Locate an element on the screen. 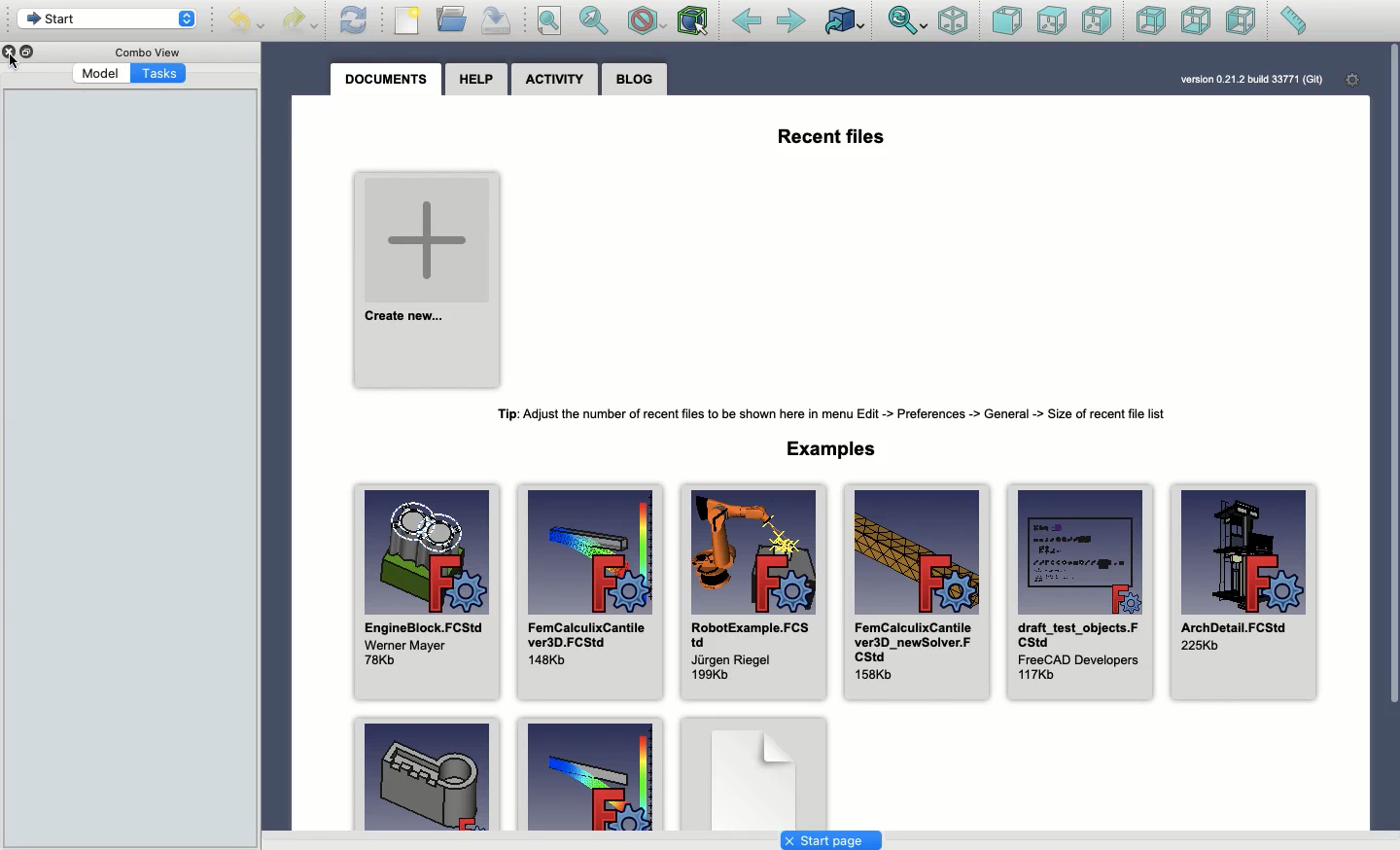 The width and height of the screenshot is (1400, 850). draft_test_objects.FCStd is located at coordinates (1078, 593).